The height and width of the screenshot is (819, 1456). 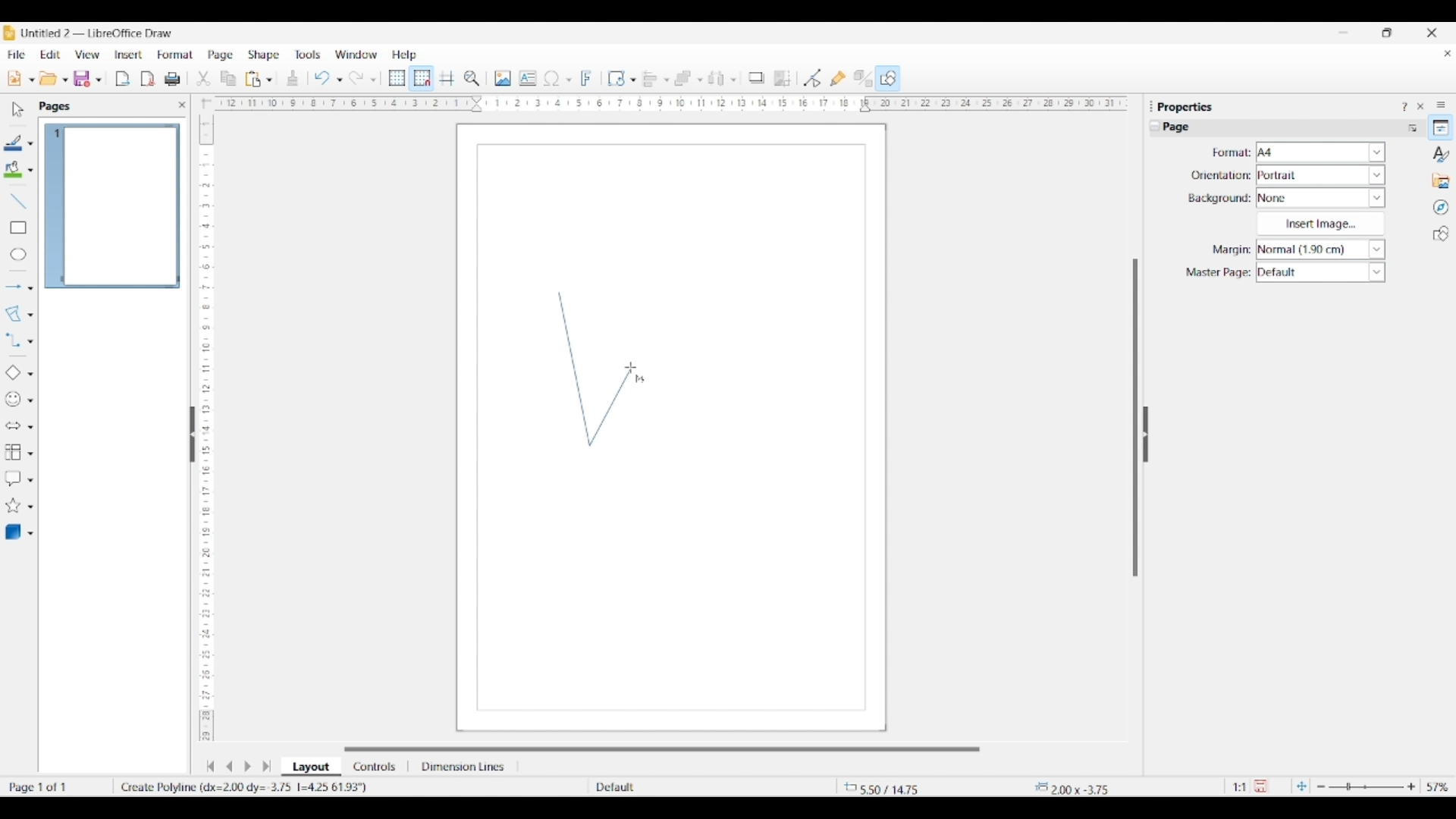 What do you see at coordinates (30, 507) in the screenshot?
I see `Star and banner options` at bounding box center [30, 507].